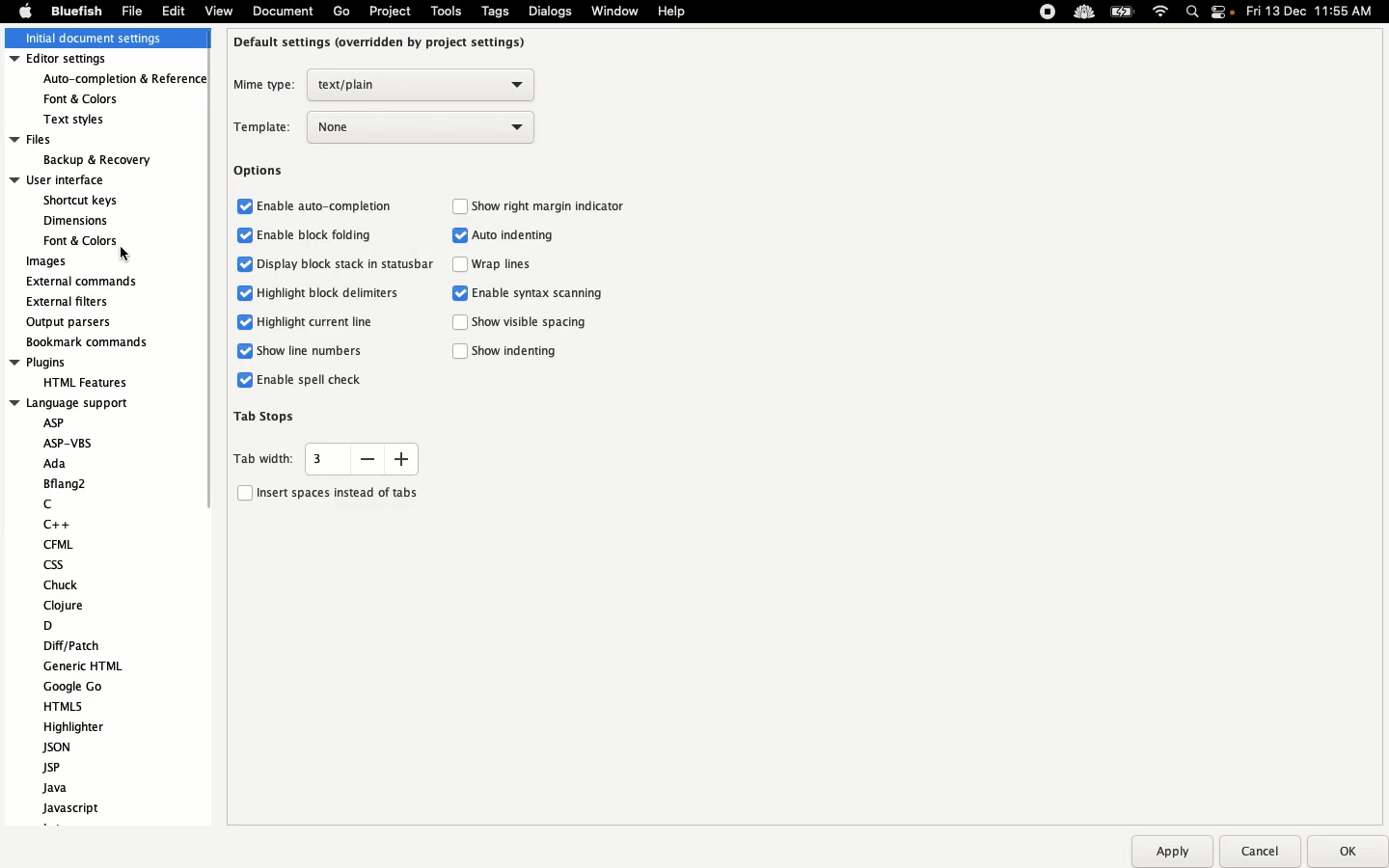  I want to click on Template, so click(386, 127).